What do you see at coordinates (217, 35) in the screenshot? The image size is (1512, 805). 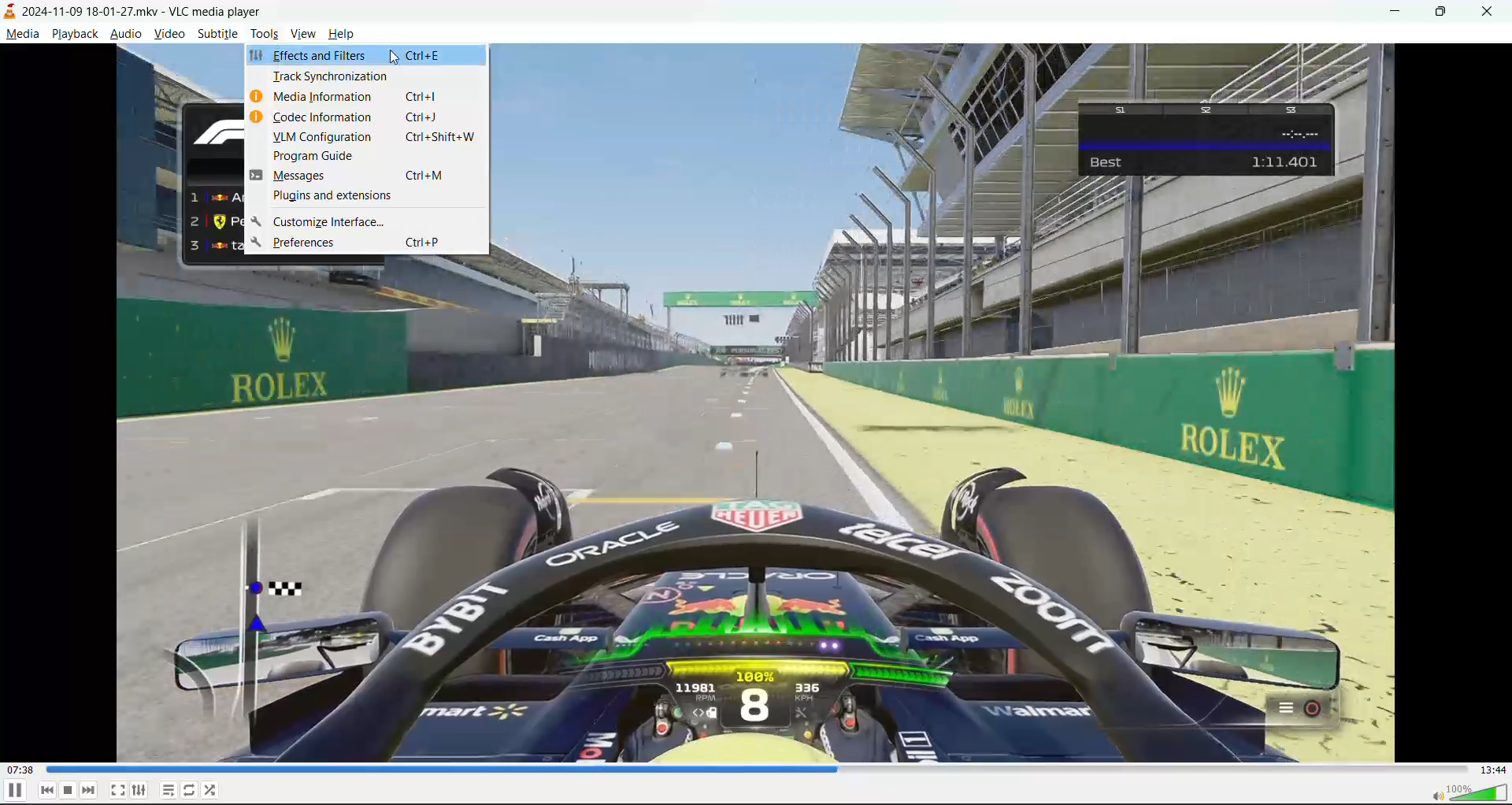 I see `subtitle` at bounding box center [217, 35].